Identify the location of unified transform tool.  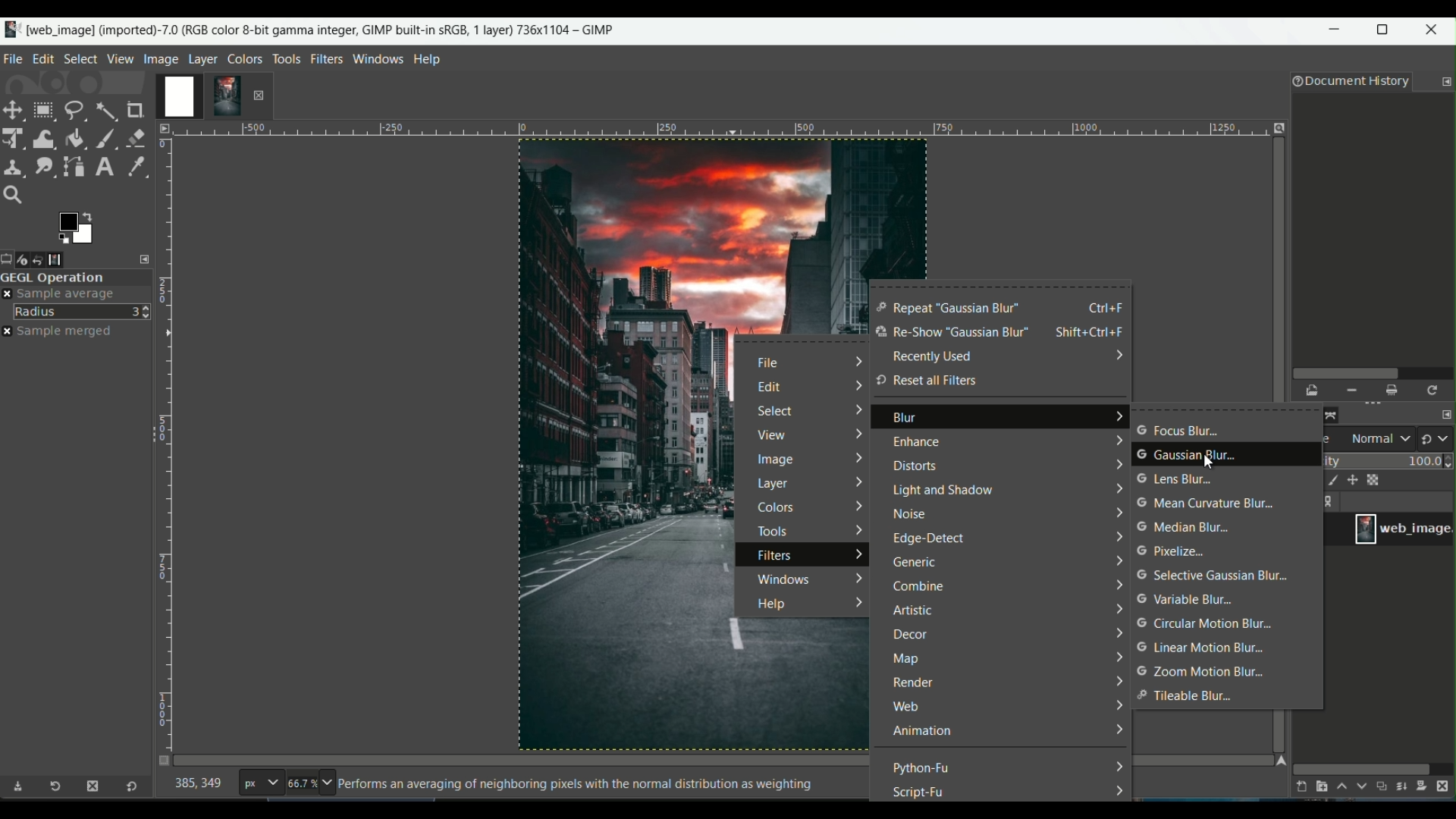
(14, 137).